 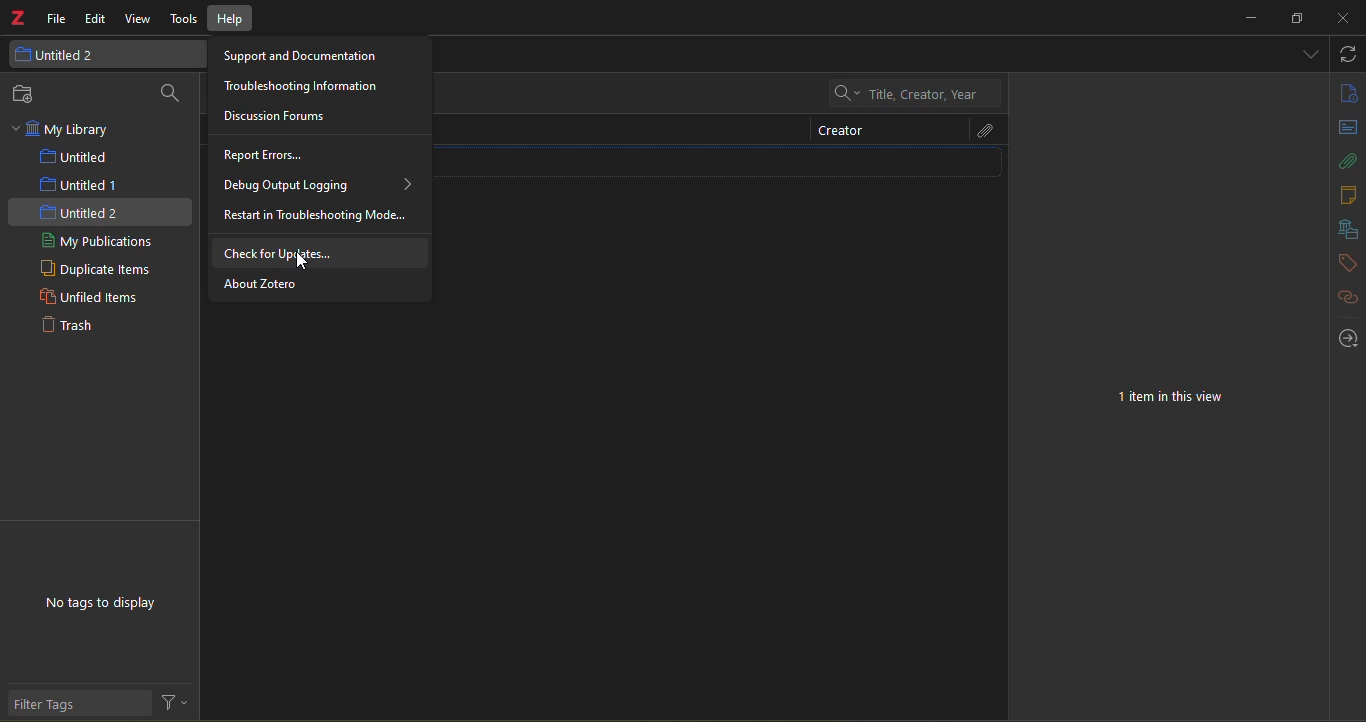 What do you see at coordinates (1297, 19) in the screenshot?
I see `resize` at bounding box center [1297, 19].